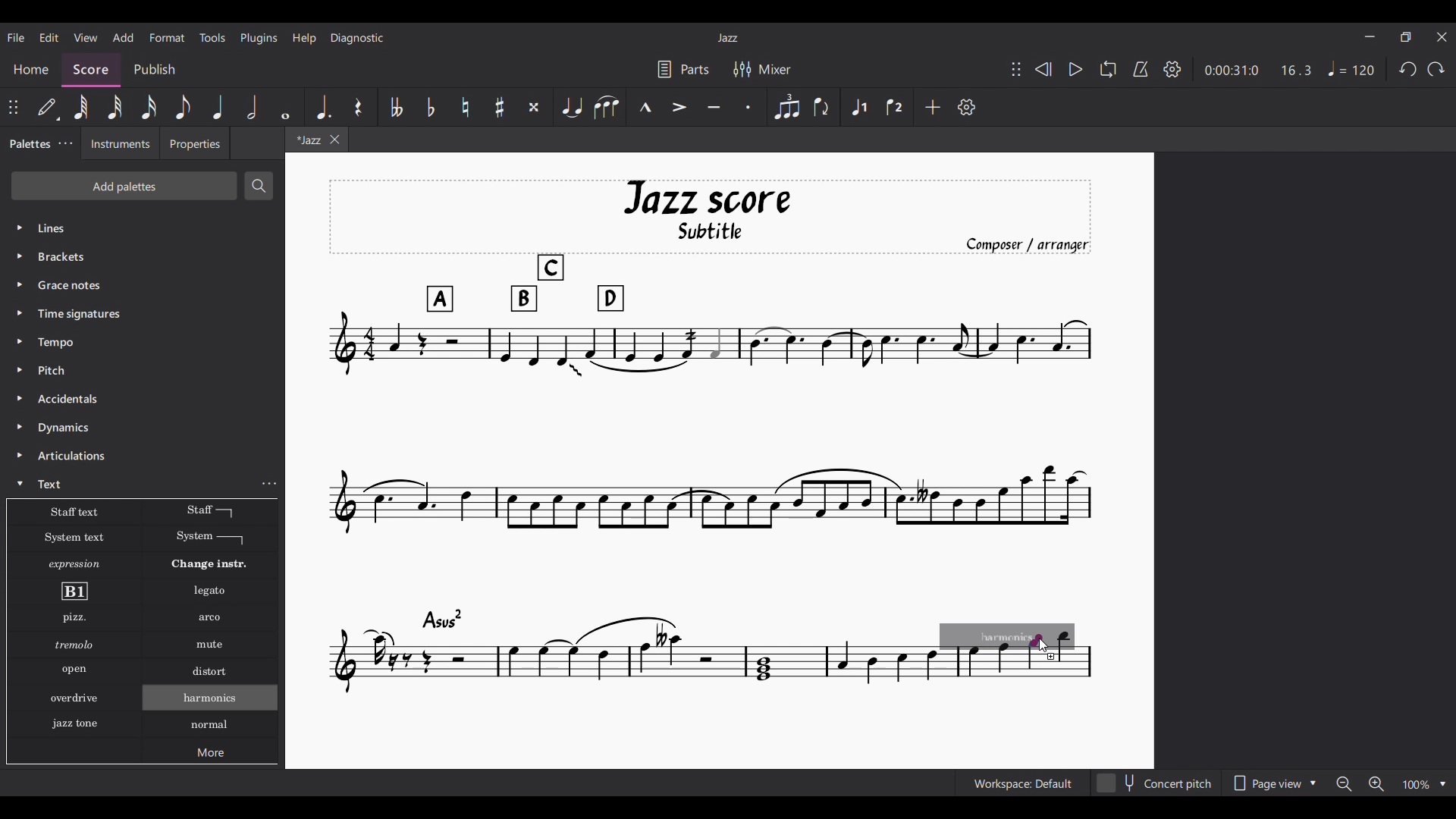 The image size is (1456, 819). Describe the element at coordinates (124, 37) in the screenshot. I see `Add menu` at that location.